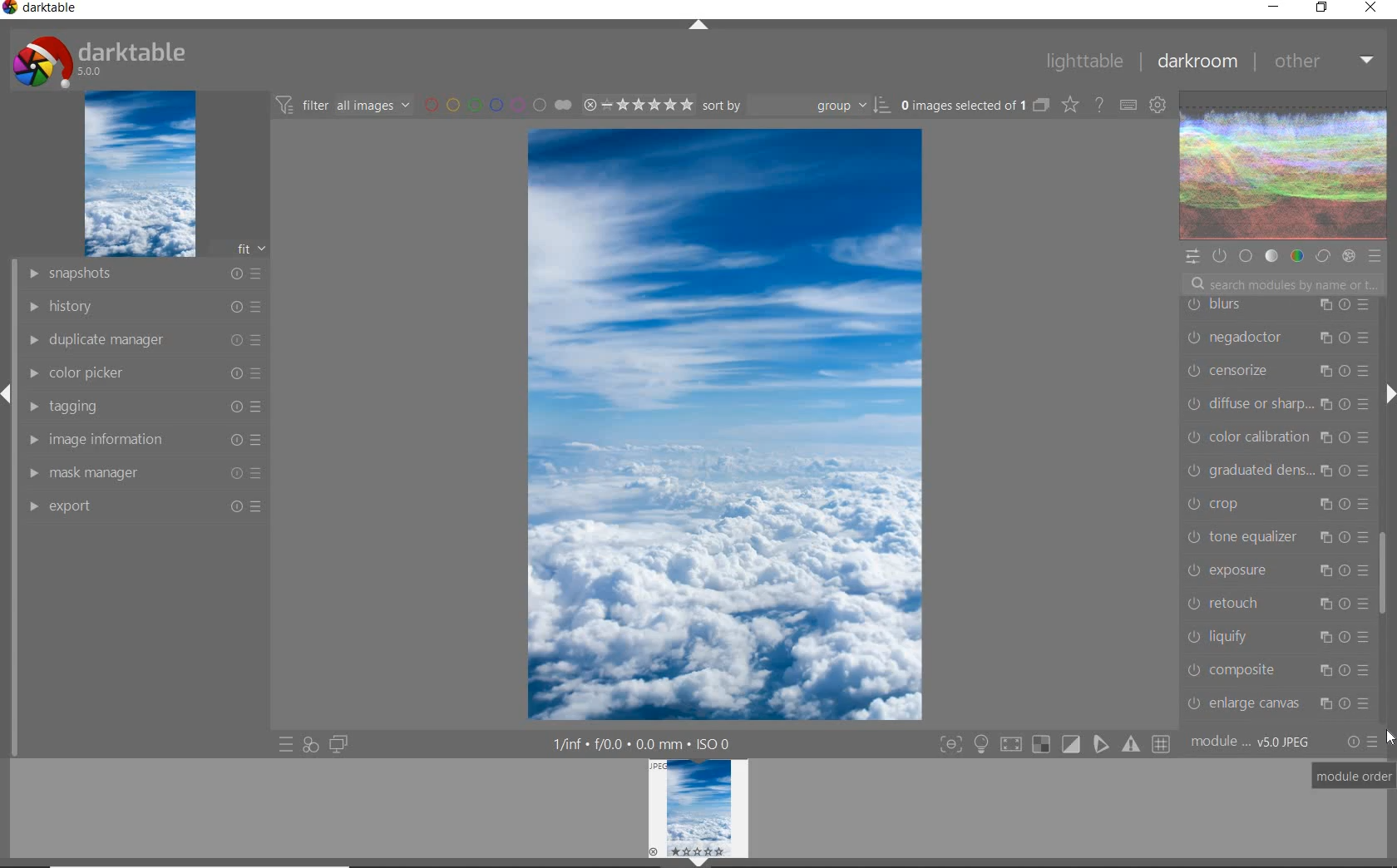 The width and height of the screenshot is (1397, 868). Describe the element at coordinates (142, 340) in the screenshot. I see `DUPLICATE MANAGER` at that location.